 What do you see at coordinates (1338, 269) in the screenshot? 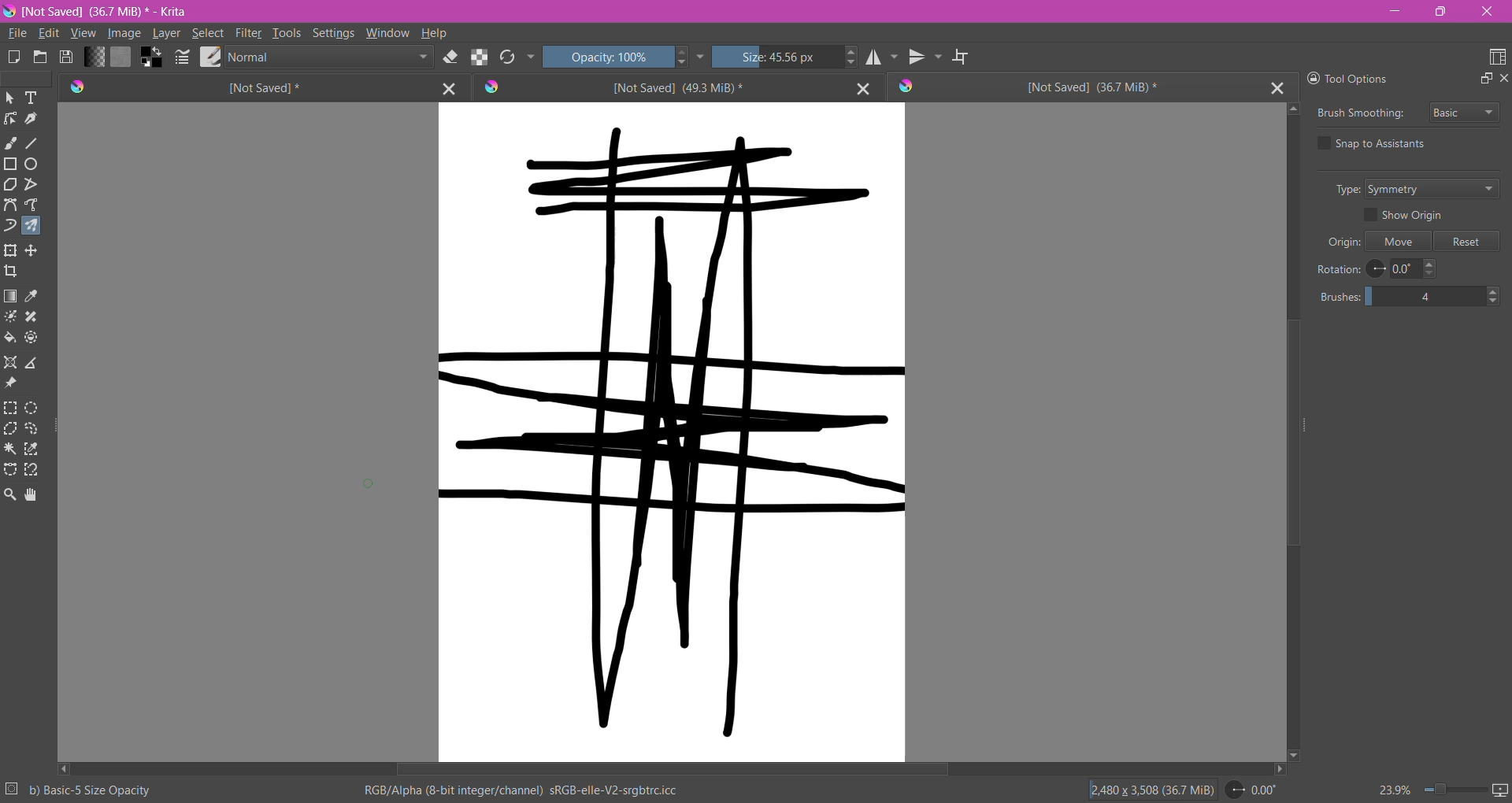
I see `Rotation` at bounding box center [1338, 269].